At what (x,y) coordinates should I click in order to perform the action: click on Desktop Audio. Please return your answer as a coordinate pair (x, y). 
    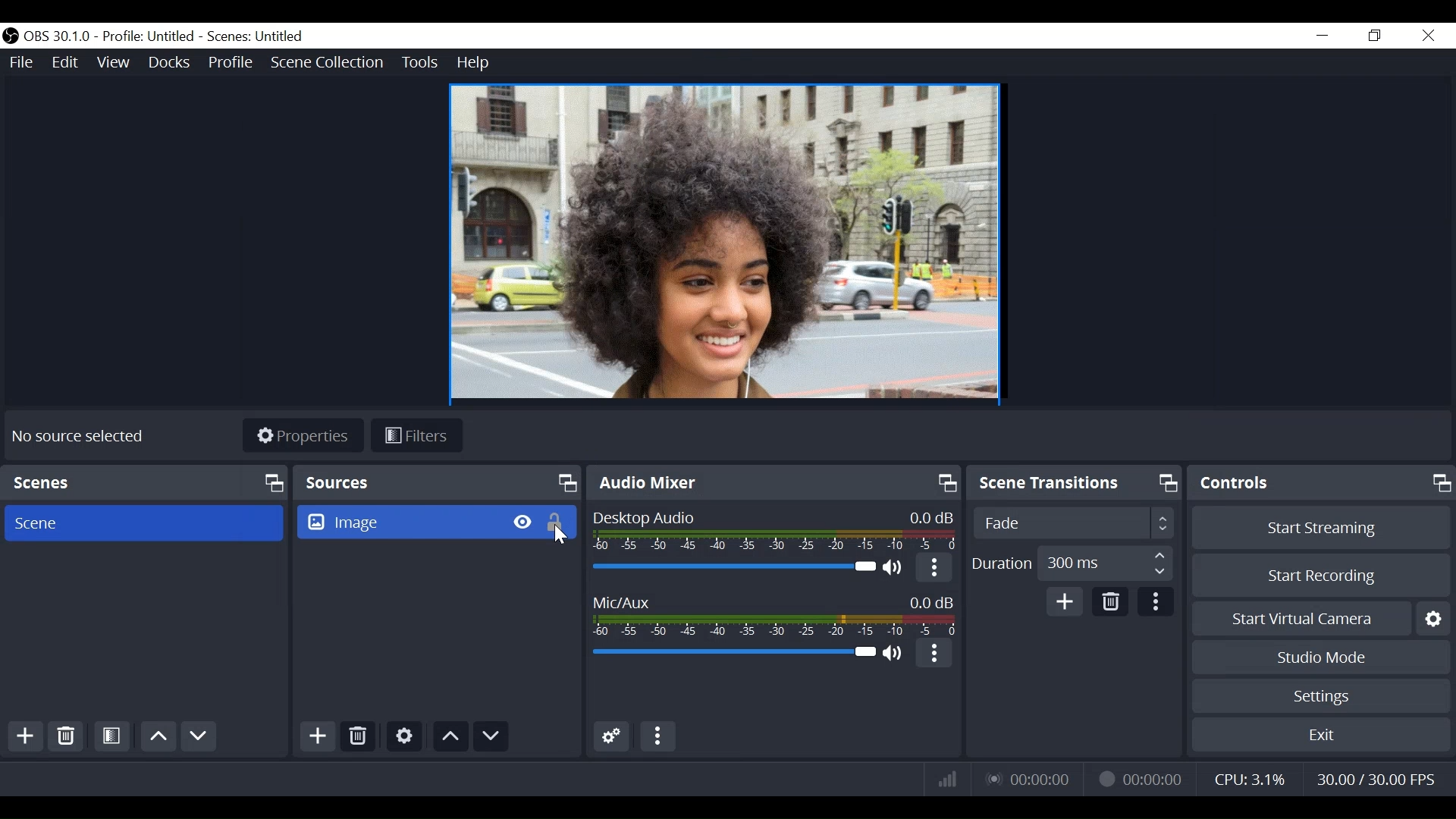
    Looking at the image, I should click on (770, 531).